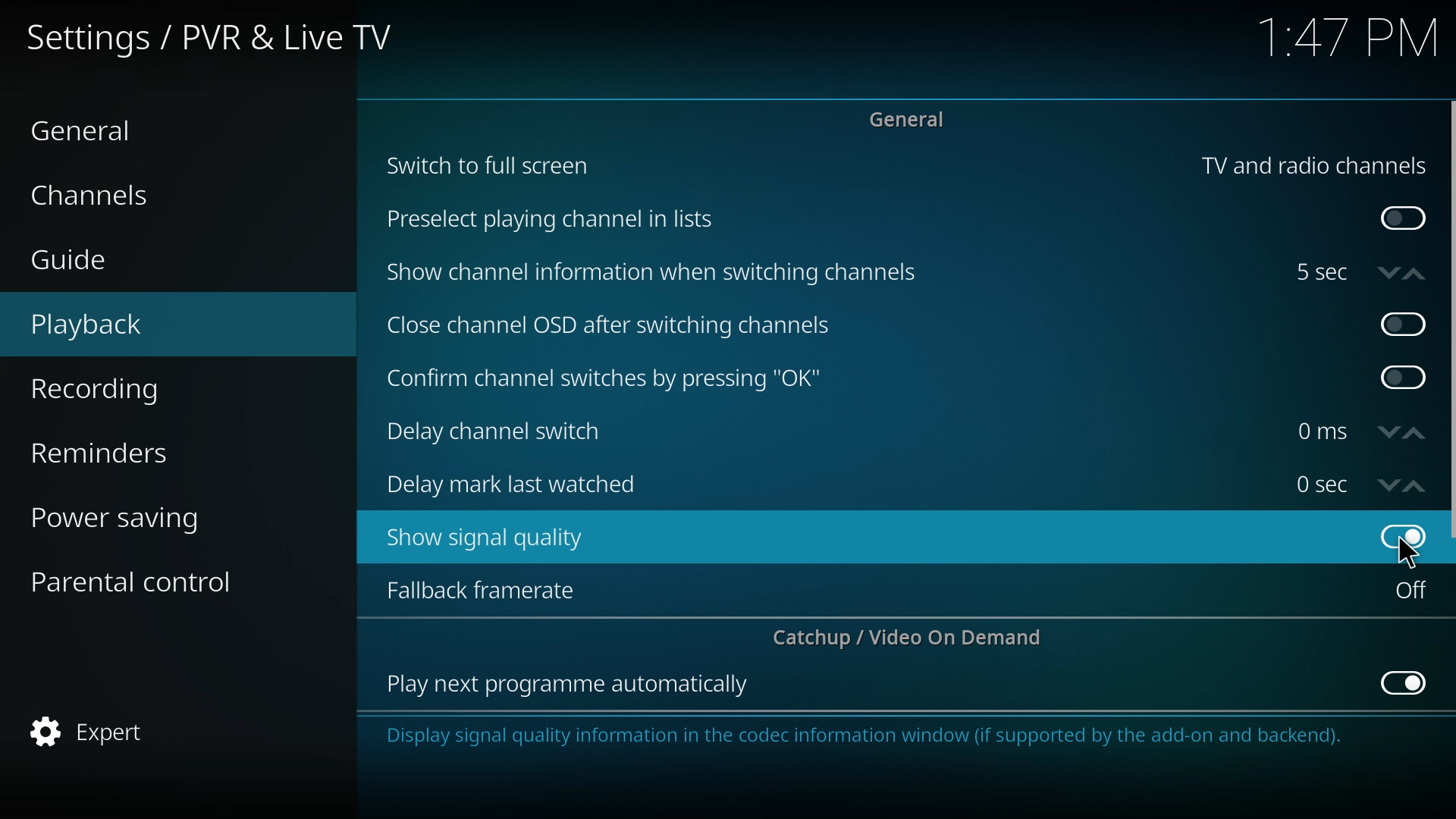 Image resolution: width=1456 pixels, height=819 pixels. Describe the element at coordinates (1404, 322) in the screenshot. I see `off` at that location.